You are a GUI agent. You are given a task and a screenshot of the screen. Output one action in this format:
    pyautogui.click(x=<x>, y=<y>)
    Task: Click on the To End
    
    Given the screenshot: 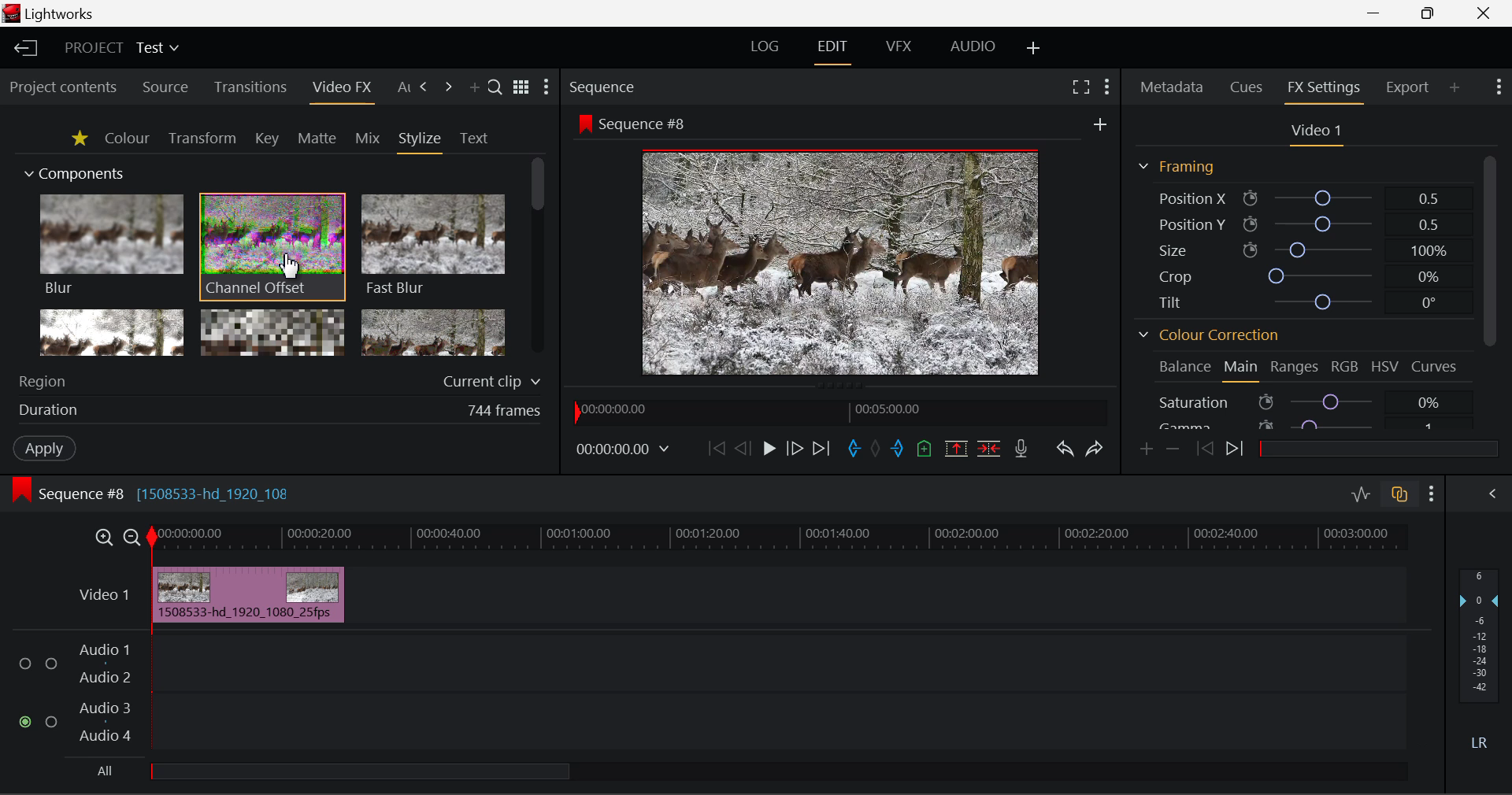 What is the action you would take?
    pyautogui.click(x=825, y=449)
    